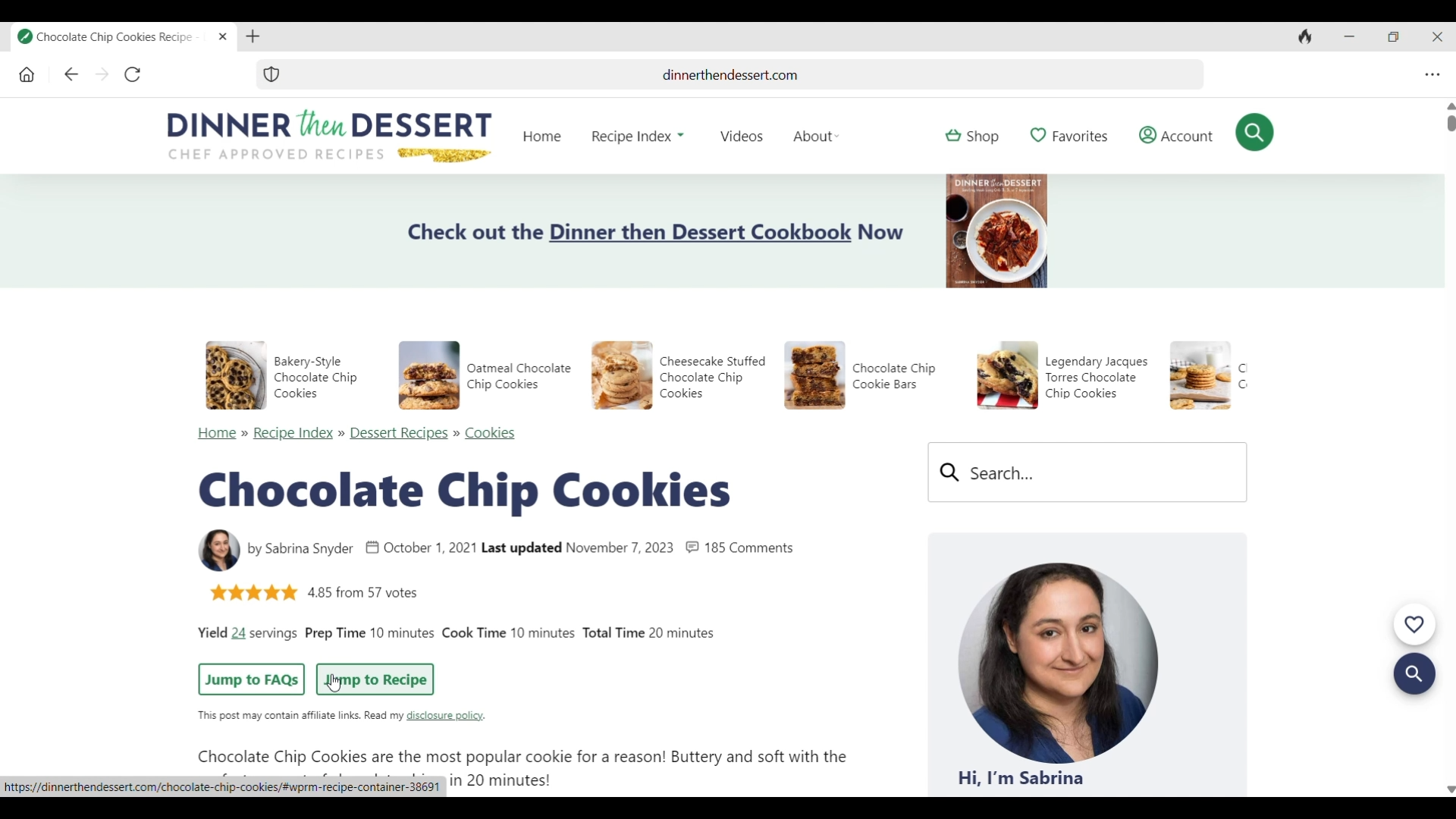  Describe the element at coordinates (1391, 38) in the screenshot. I see `Show interface in a smaller tab` at that location.